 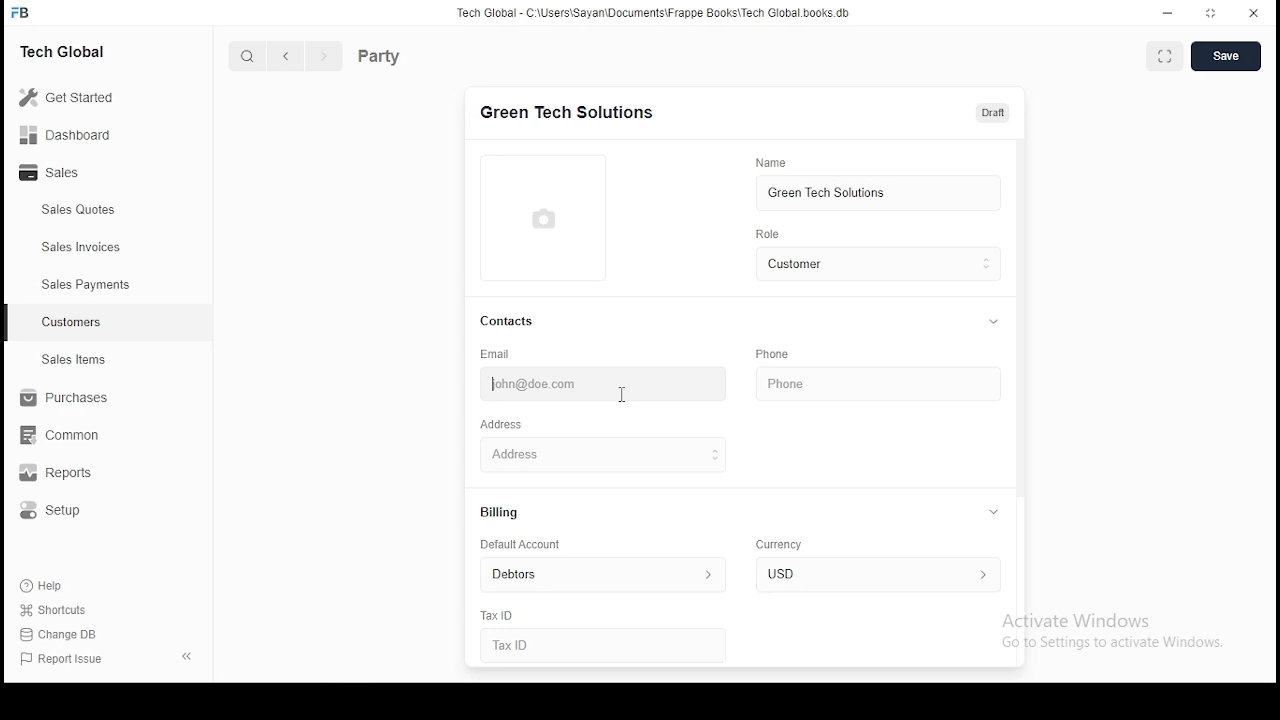 I want to click on dashboard, so click(x=66, y=133).